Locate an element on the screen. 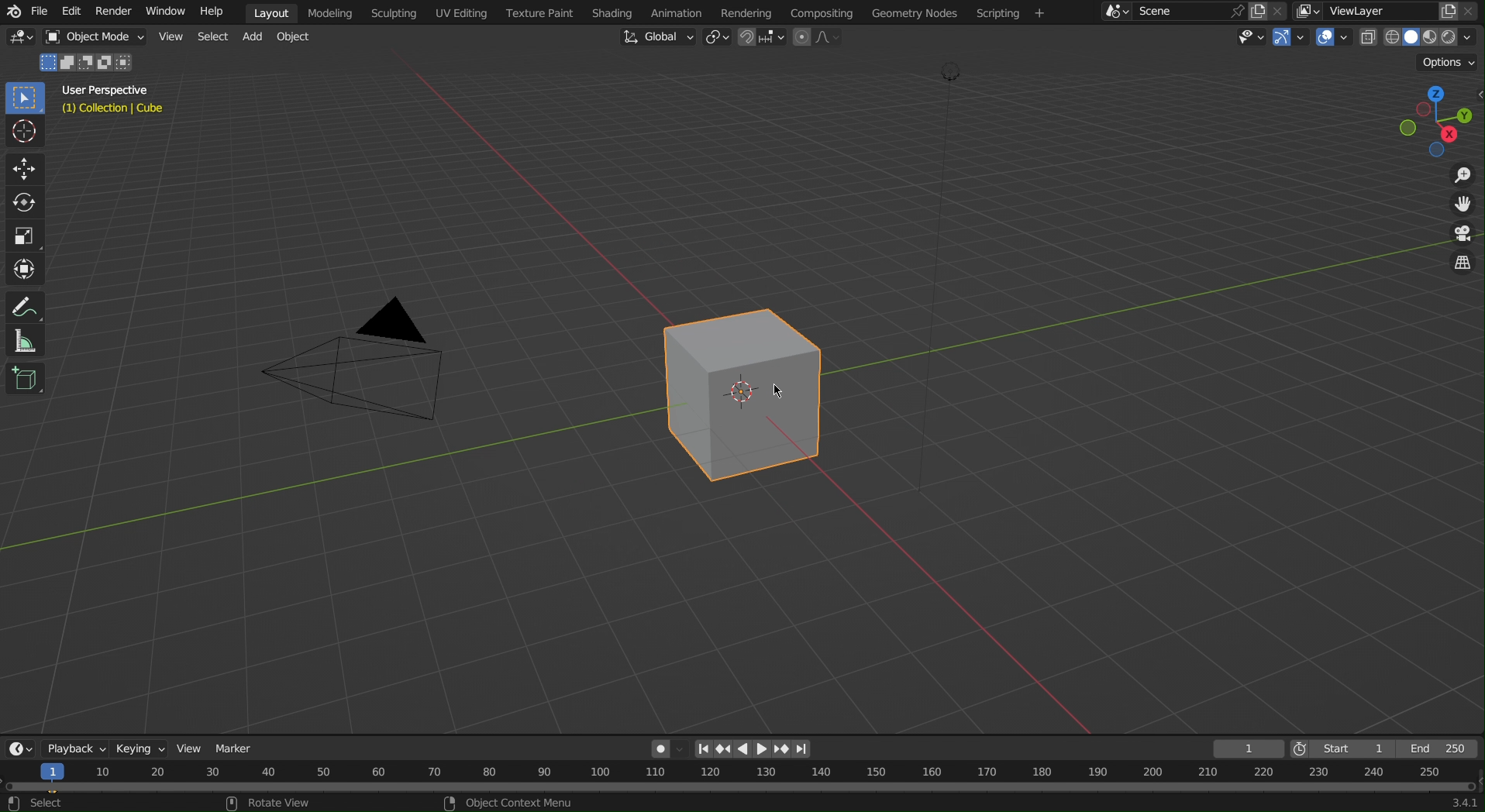  Snap is located at coordinates (761, 38).